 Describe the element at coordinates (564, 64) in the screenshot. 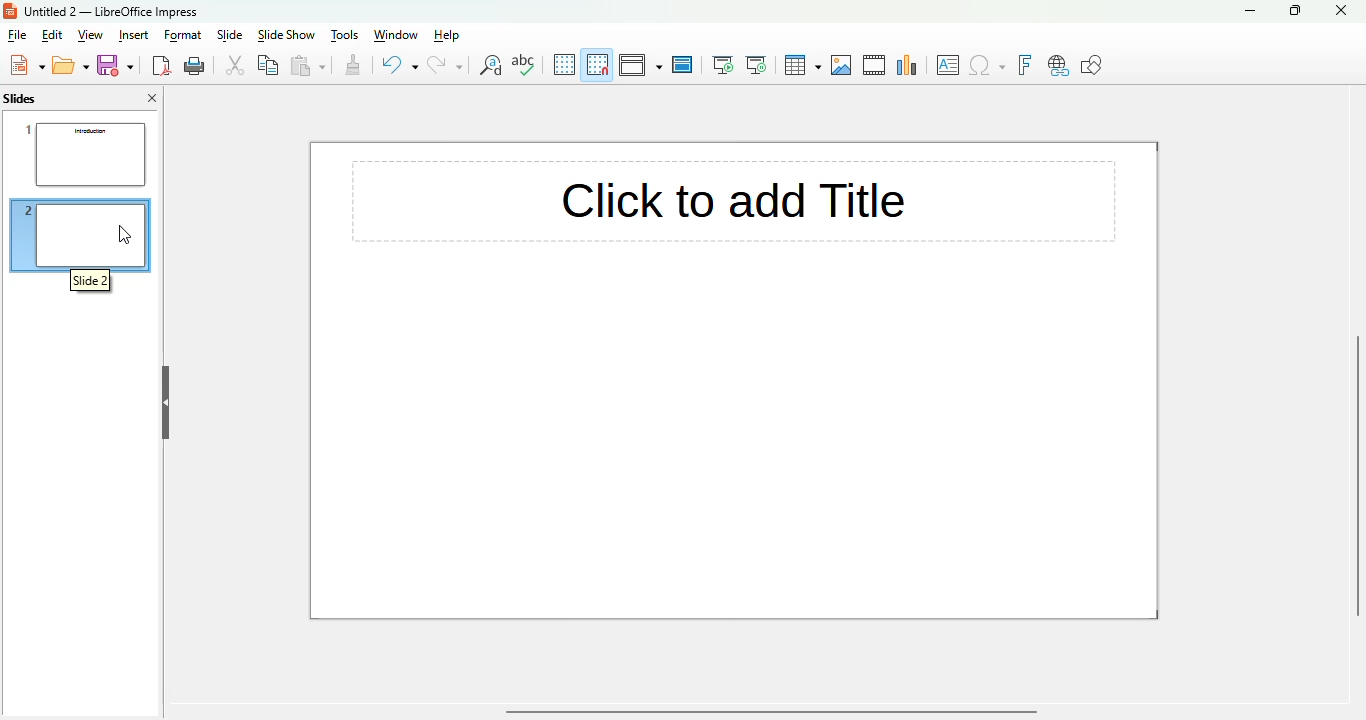

I see `display grid` at that location.